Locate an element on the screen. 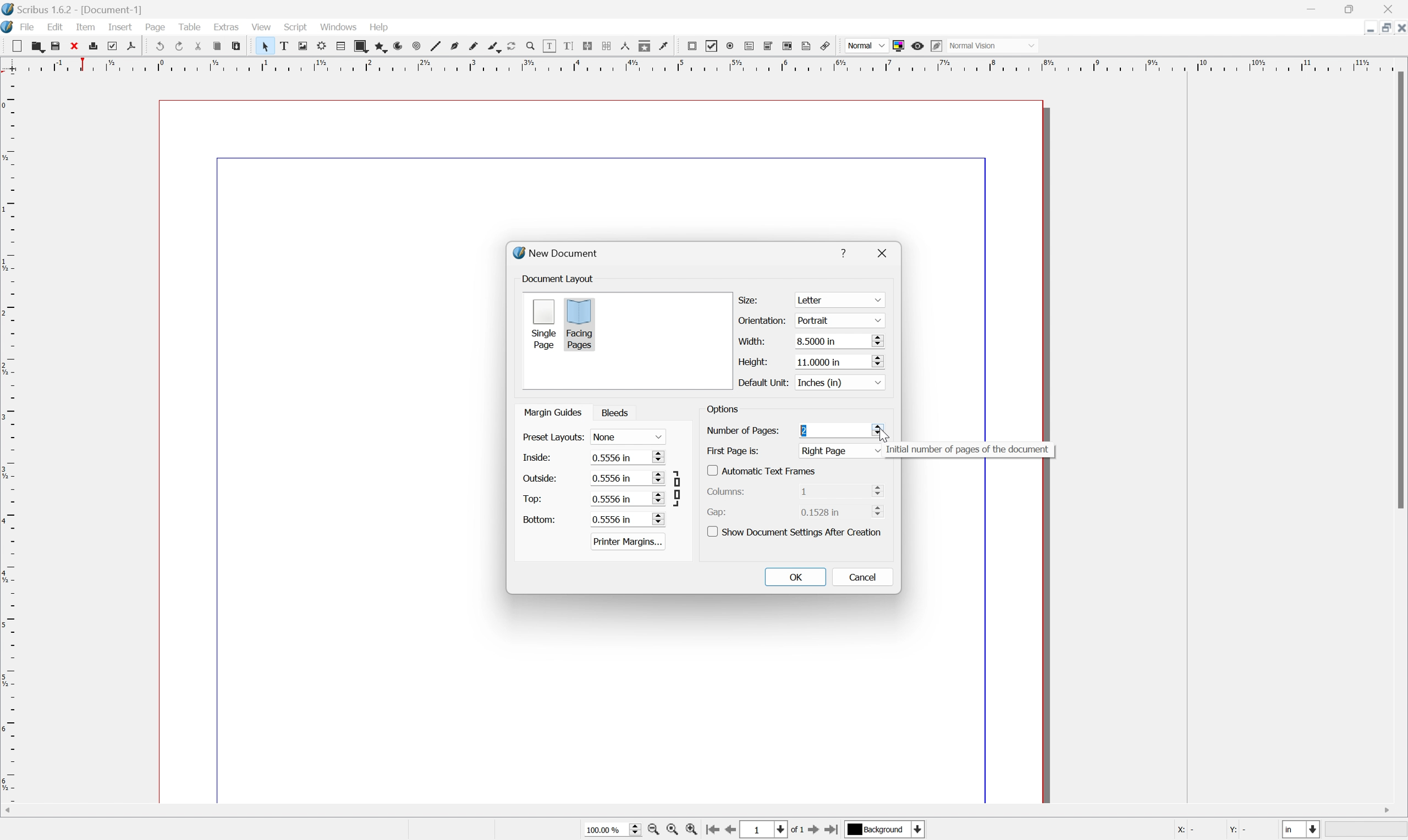  Rotate item is located at coordinates (511, 46).